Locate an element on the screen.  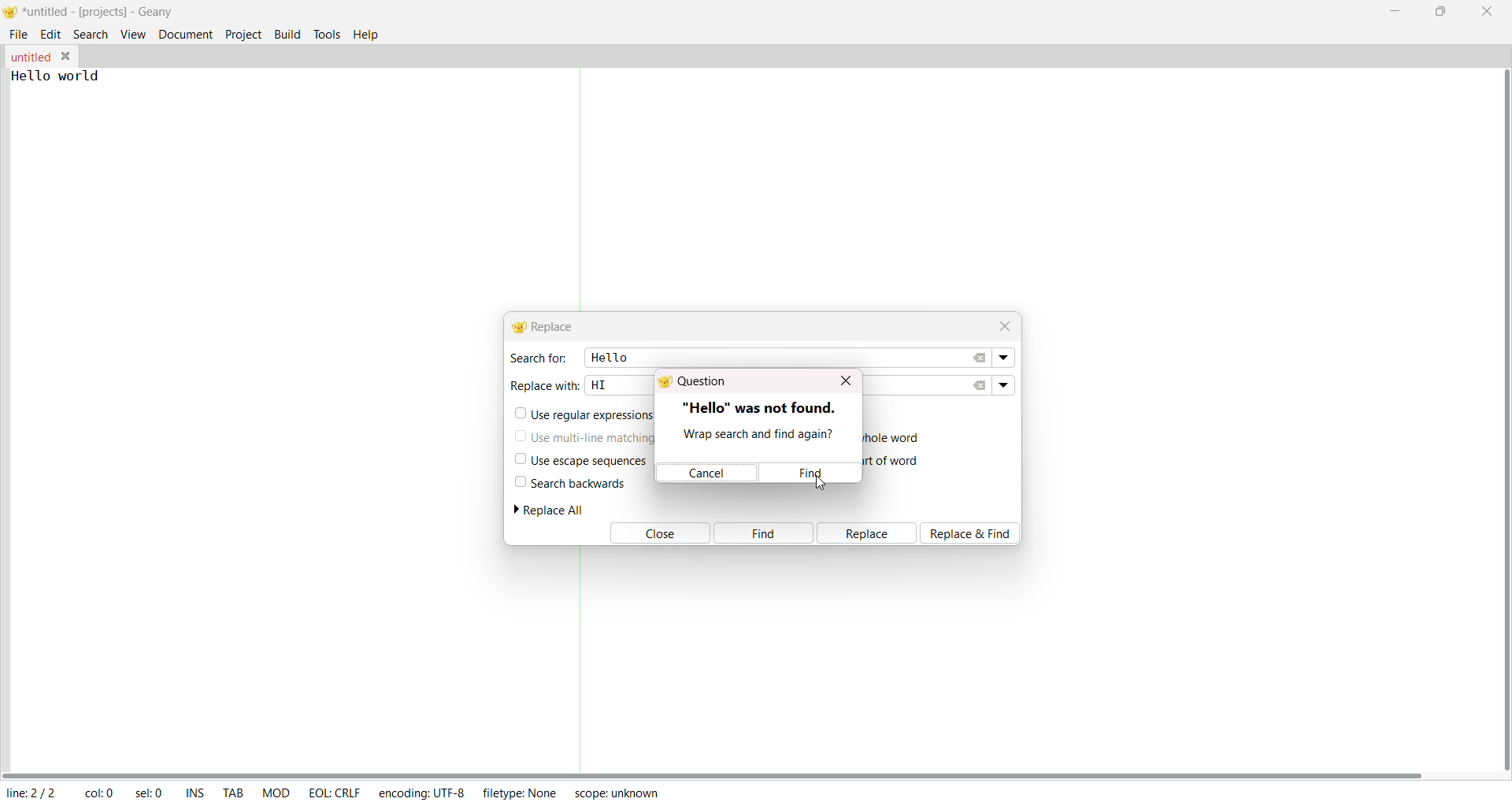
use escape sequences is located at coordinates (578, 460).